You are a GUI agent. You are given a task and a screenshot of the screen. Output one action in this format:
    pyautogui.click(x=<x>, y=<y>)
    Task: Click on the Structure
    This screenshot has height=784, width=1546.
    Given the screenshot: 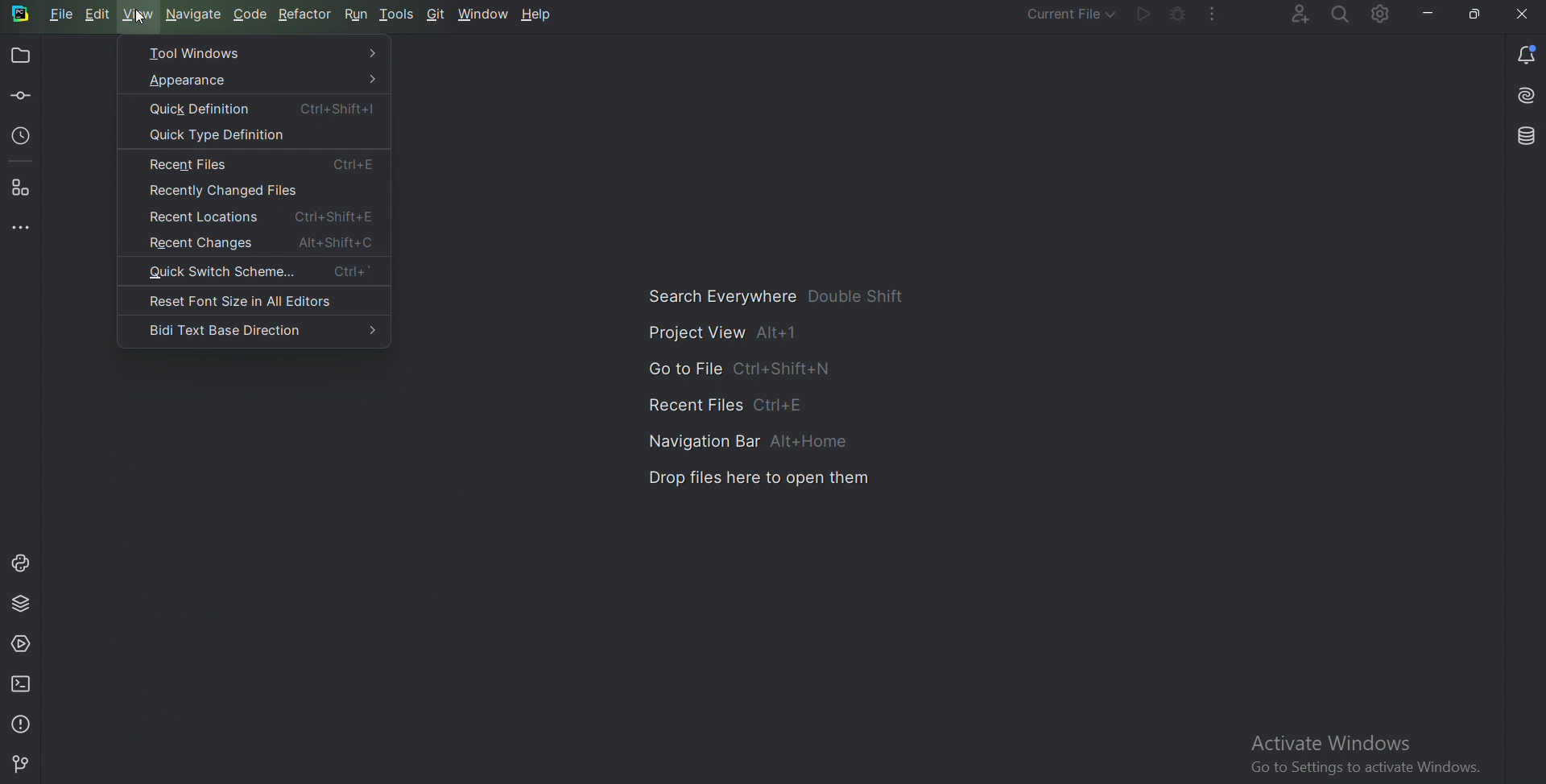 What is the action you would take?
    pyautogui.click(x=22, y=189)
    